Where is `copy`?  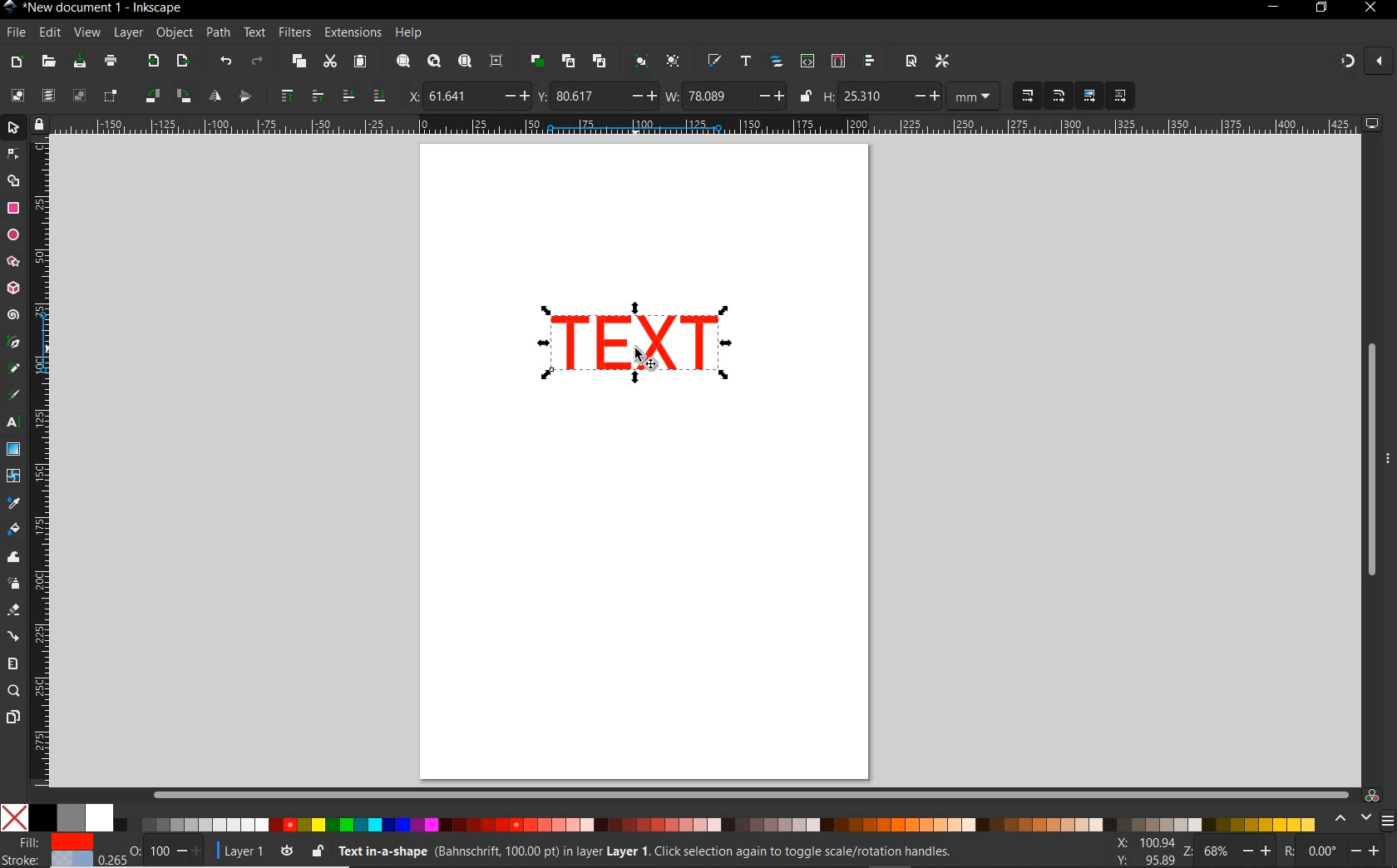
copy is located at coordinates (297, 62).